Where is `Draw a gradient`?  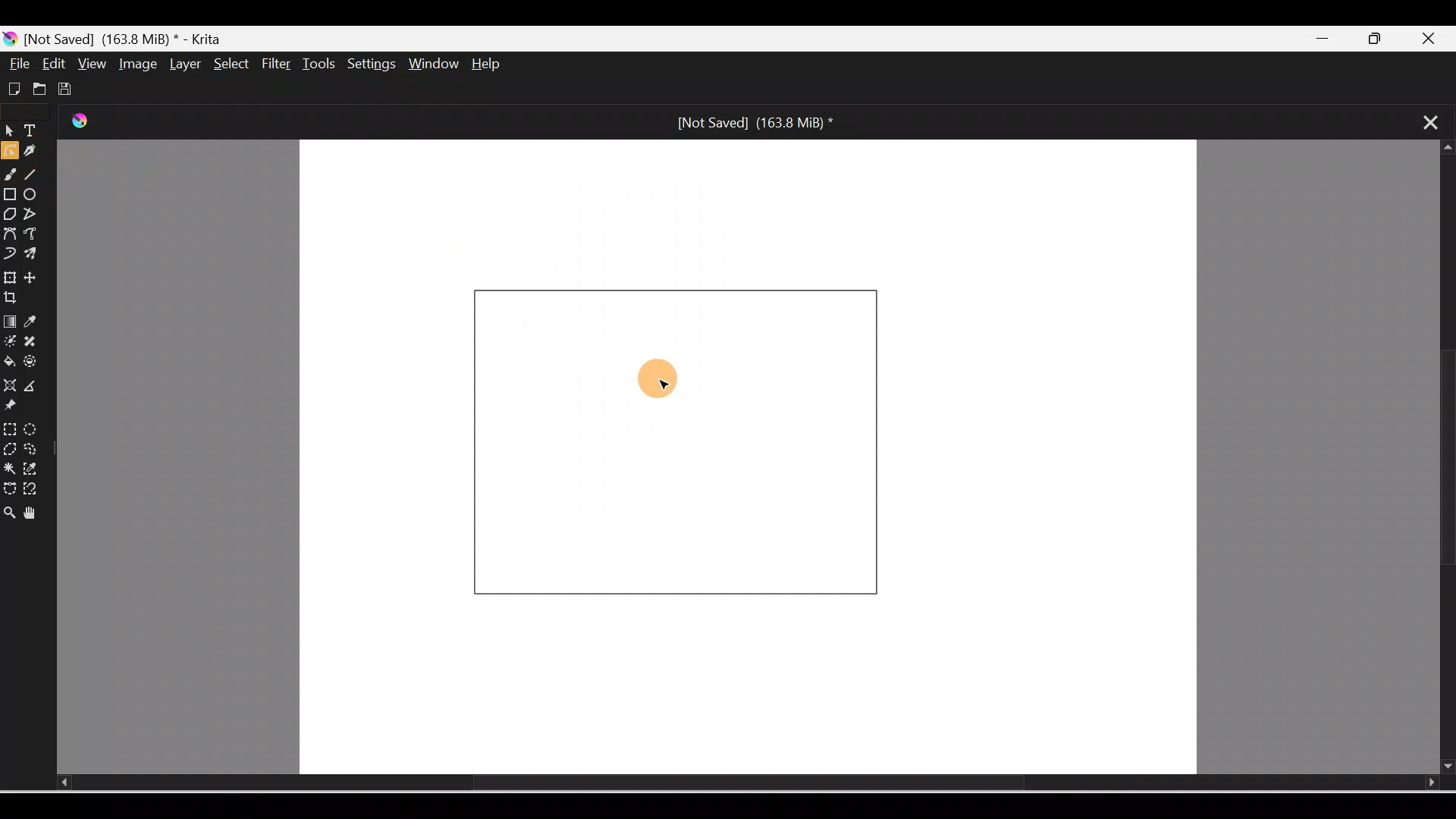 Draw a gradient is located at coordinates (9, 322).